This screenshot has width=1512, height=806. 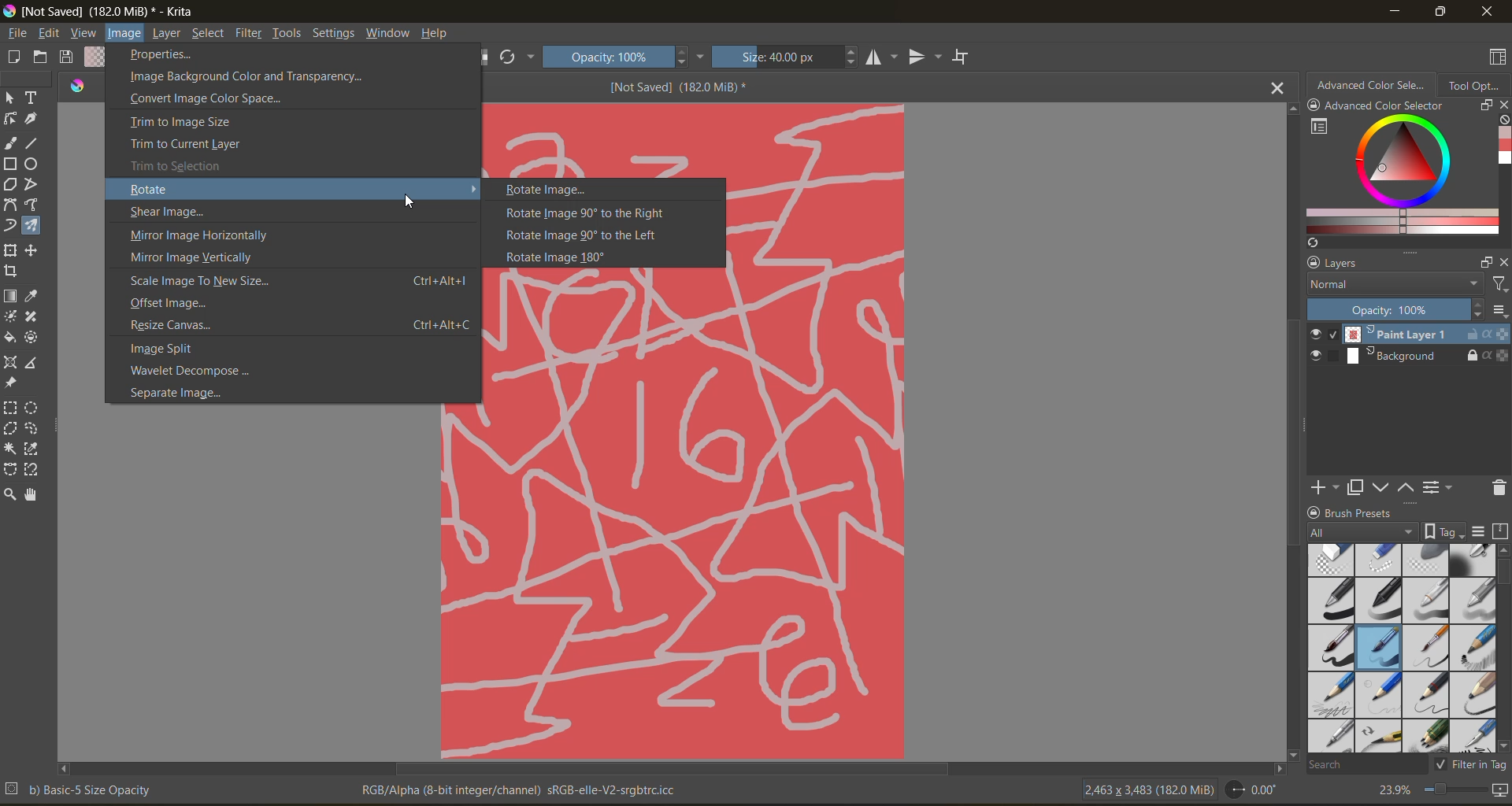 What do you see at coordinates (1352, 488) in the screenshot?
I see `duplicate` at bounding box center [1352, 488].